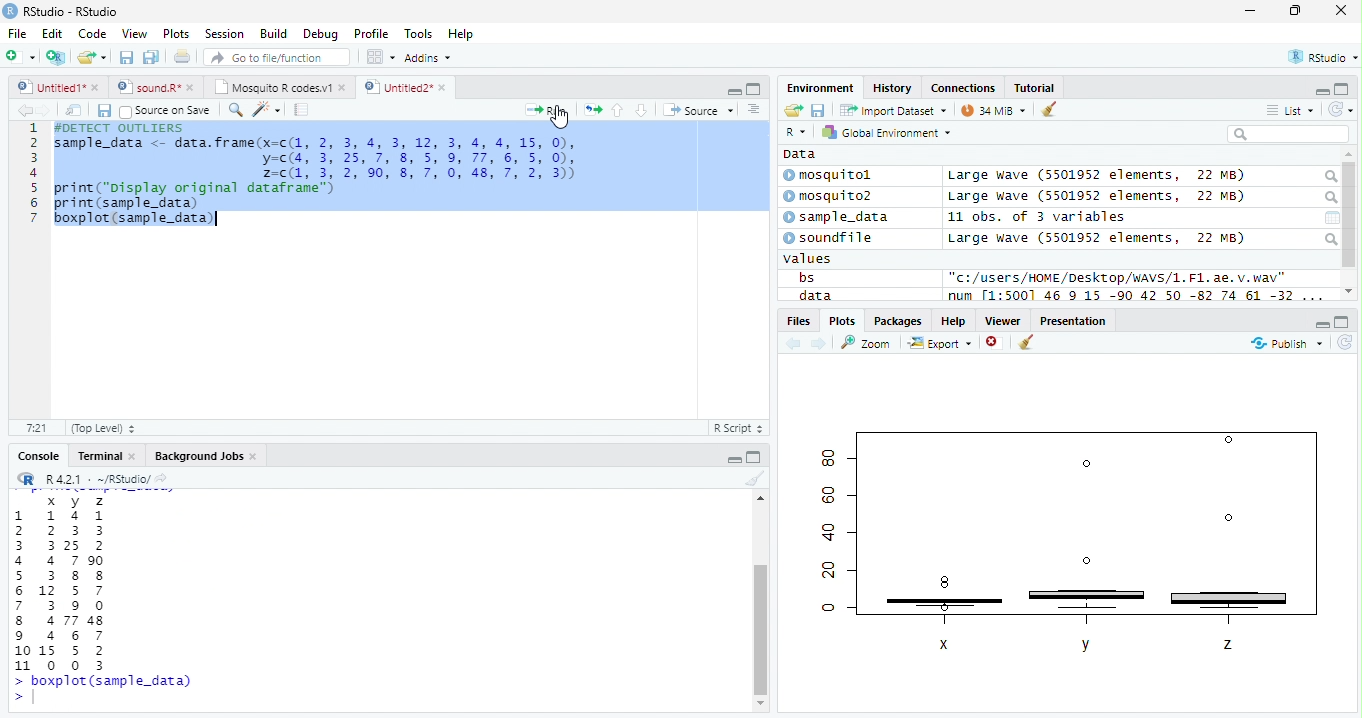 Image resolution: width=1362 pixels, height=718 pixels. I want to click on Terminal, so click(104, 456).